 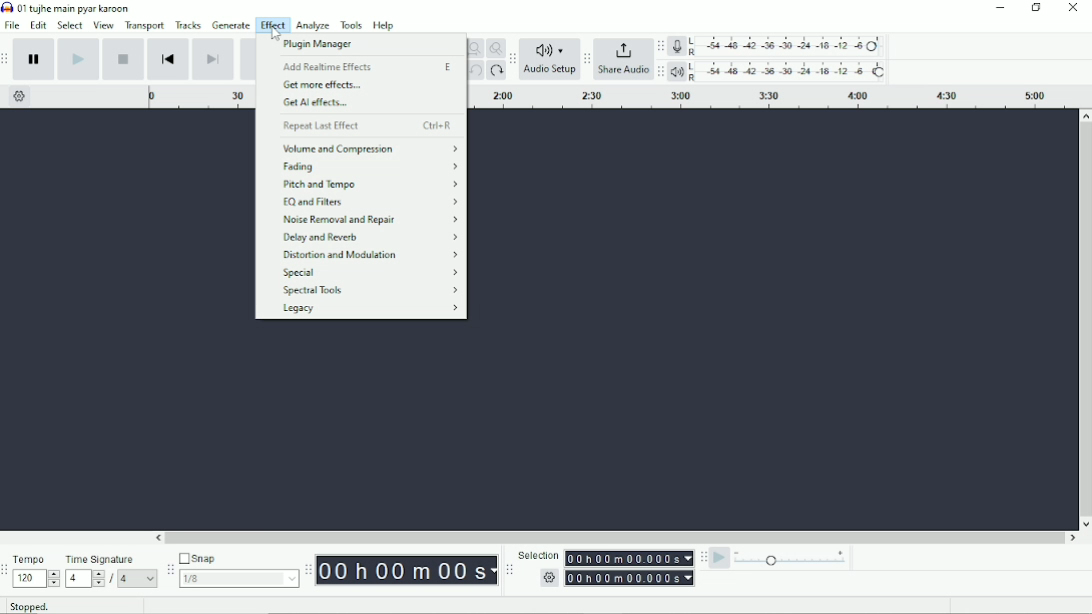 I want to click on Tools, so click(x=352, y=26).